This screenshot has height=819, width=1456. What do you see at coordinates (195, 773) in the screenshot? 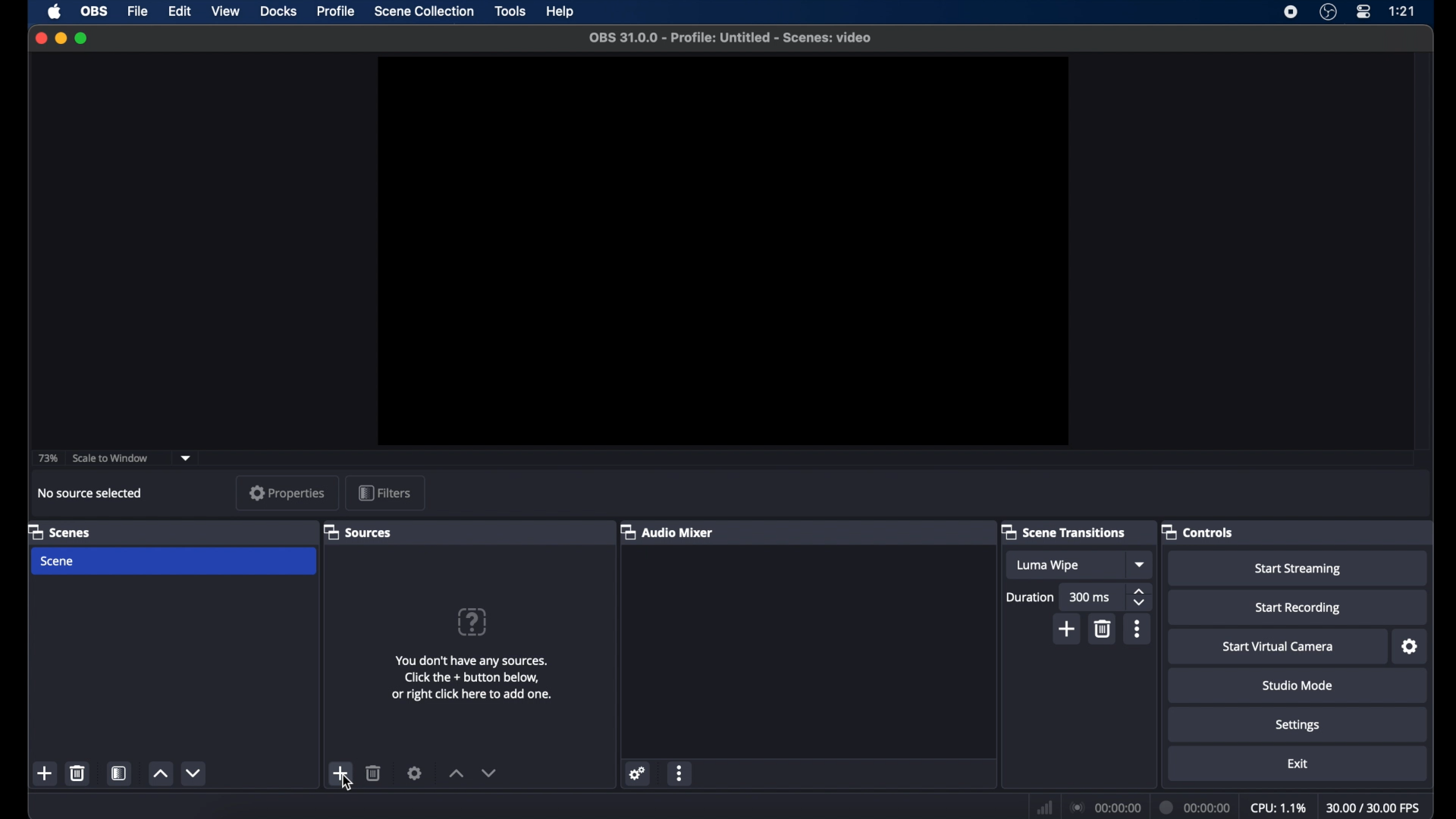
I see `decrement` at bounding box center [195, 773].